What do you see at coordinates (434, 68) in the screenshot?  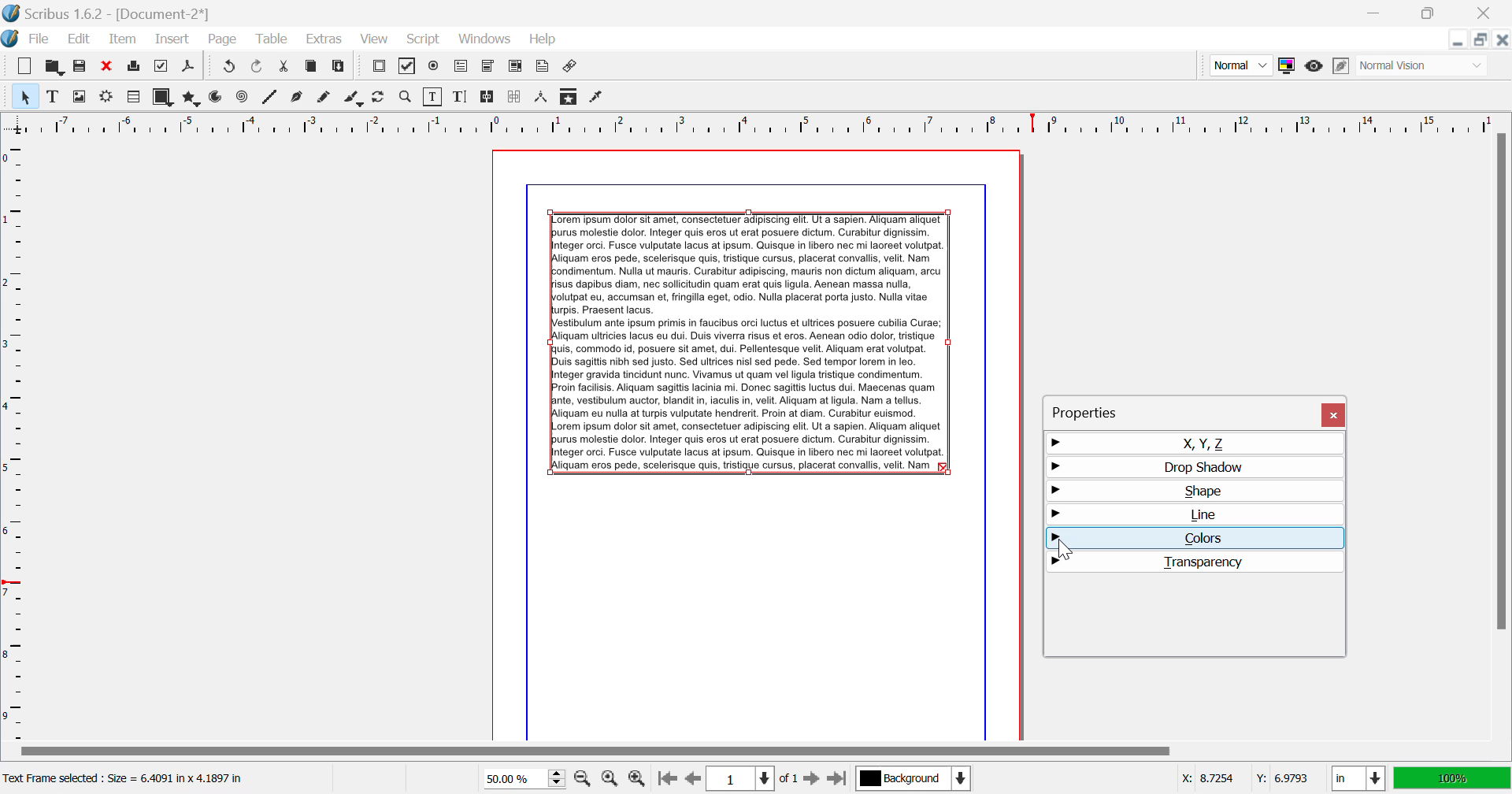 I see `Pdf Radio Button` at bounding box center [434, 68].